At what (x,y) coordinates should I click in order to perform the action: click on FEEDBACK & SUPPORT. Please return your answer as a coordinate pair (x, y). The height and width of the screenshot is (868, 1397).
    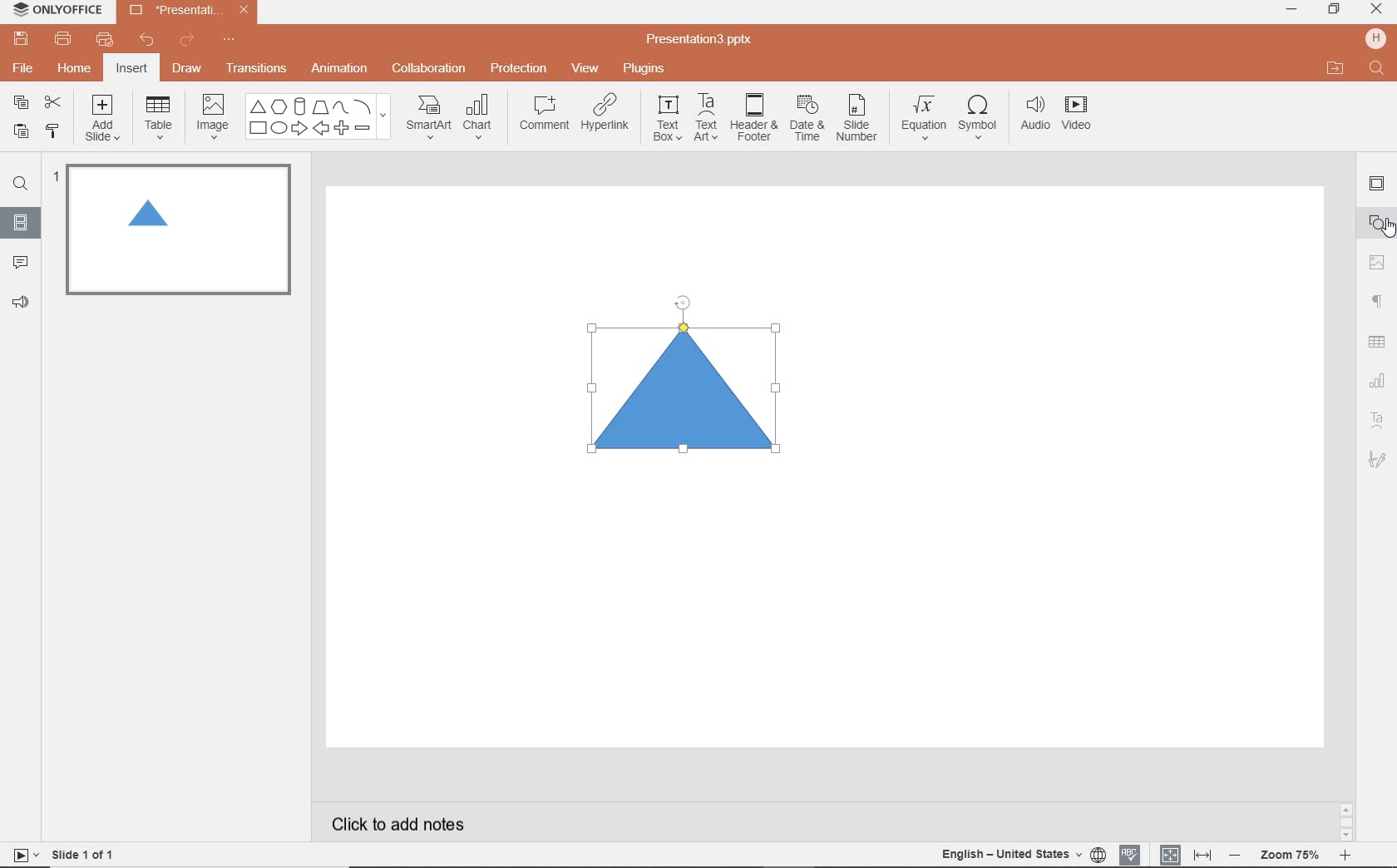
    Looking at the image, I should click on (23, 302).